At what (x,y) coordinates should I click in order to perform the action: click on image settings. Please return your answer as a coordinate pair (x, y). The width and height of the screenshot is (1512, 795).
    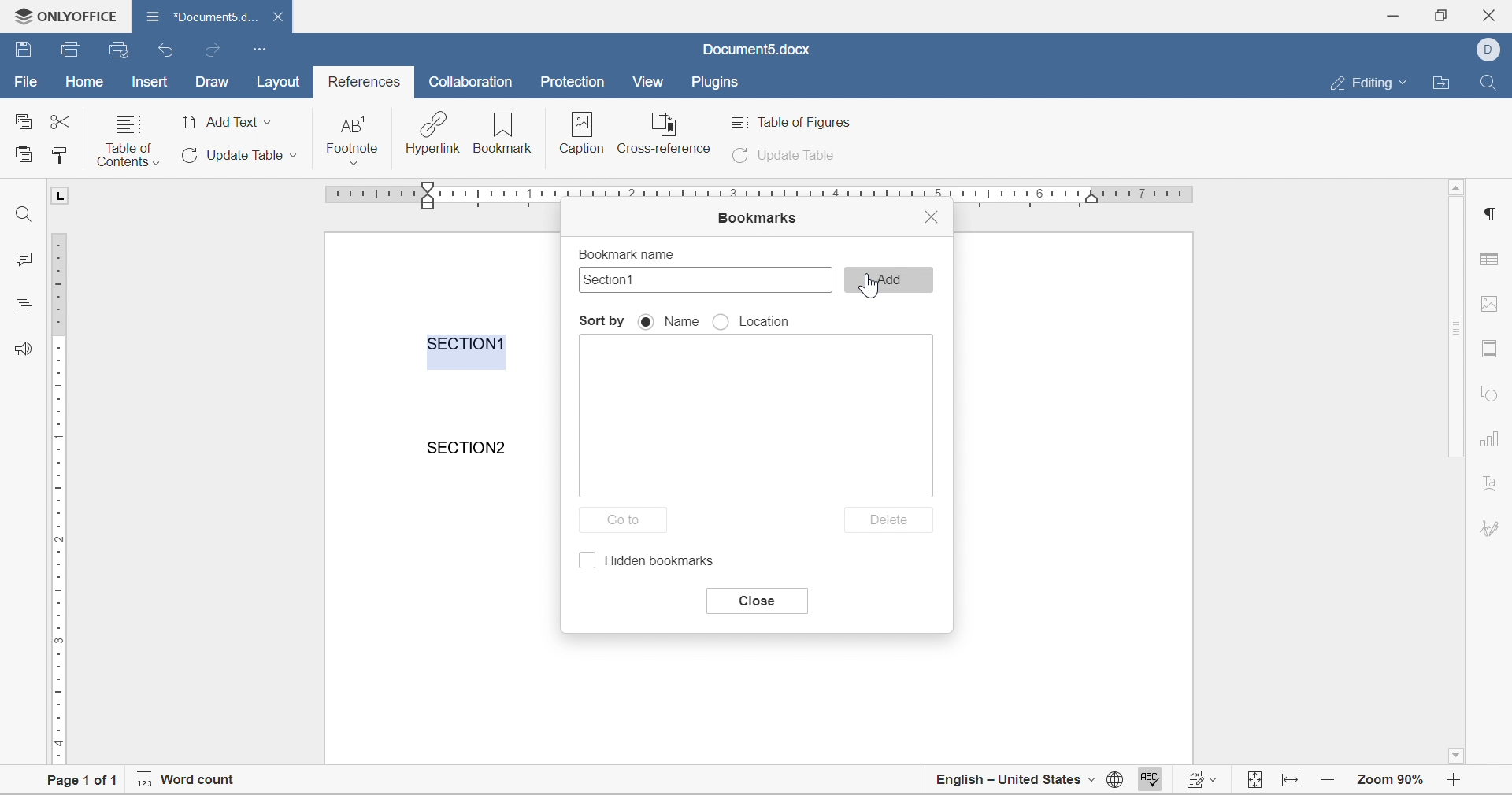
    Looking at the image, I should click on (1487, 303).